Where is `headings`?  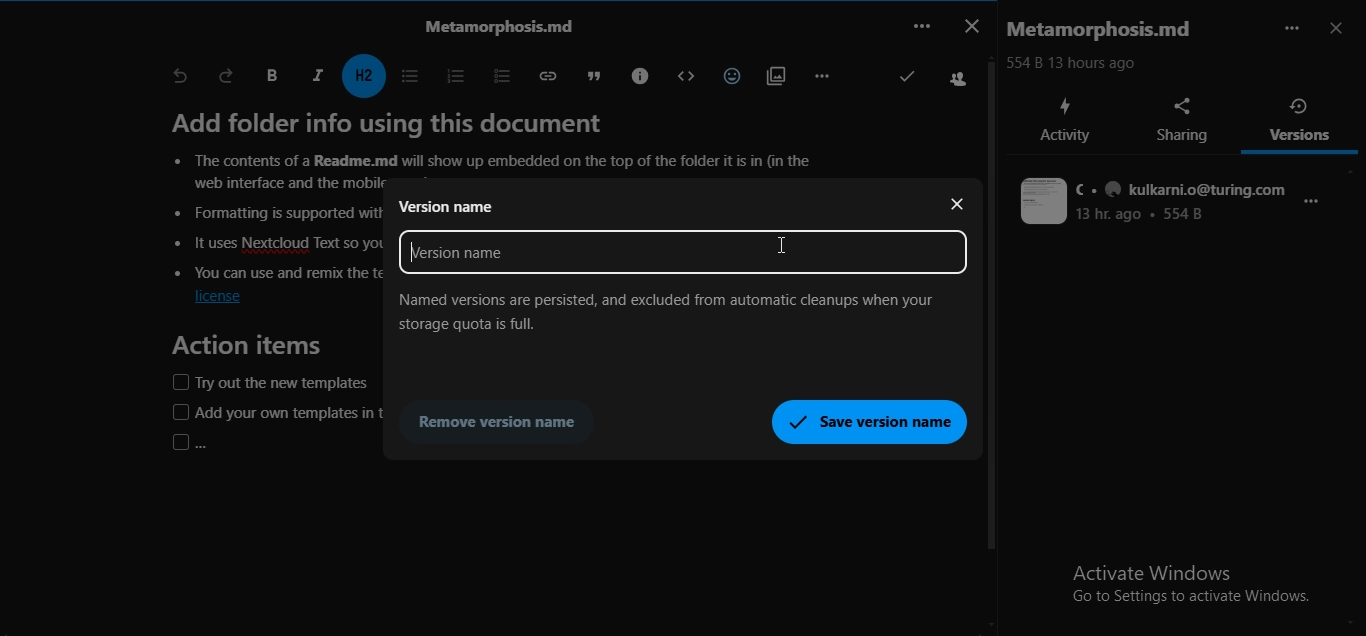 headings is located at coordinates (366, 76).